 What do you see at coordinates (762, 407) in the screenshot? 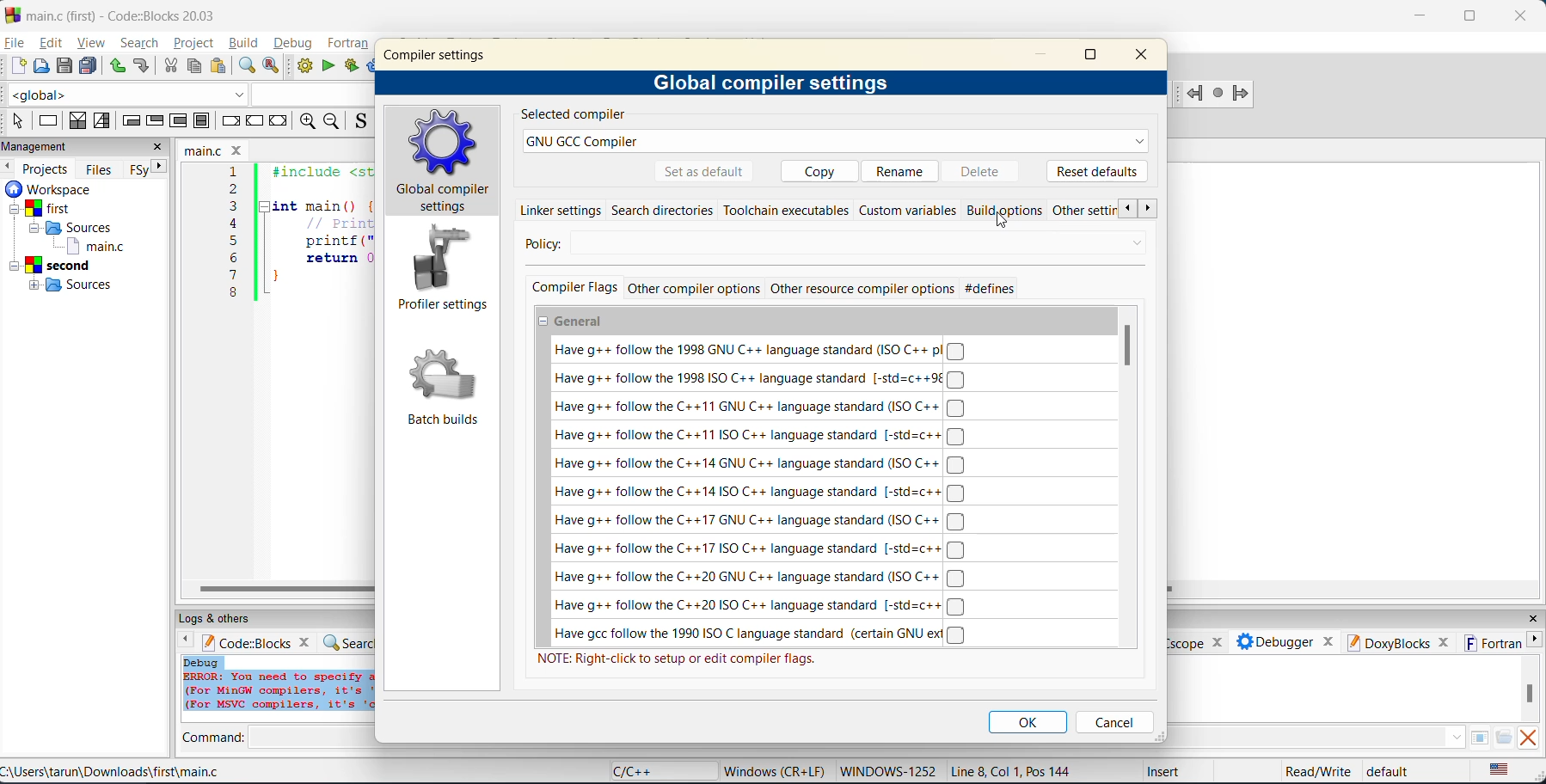
I see `Have g++ follow the C++11 GNU C++ language standard (ISO C++` at bounding box center [762, 407].